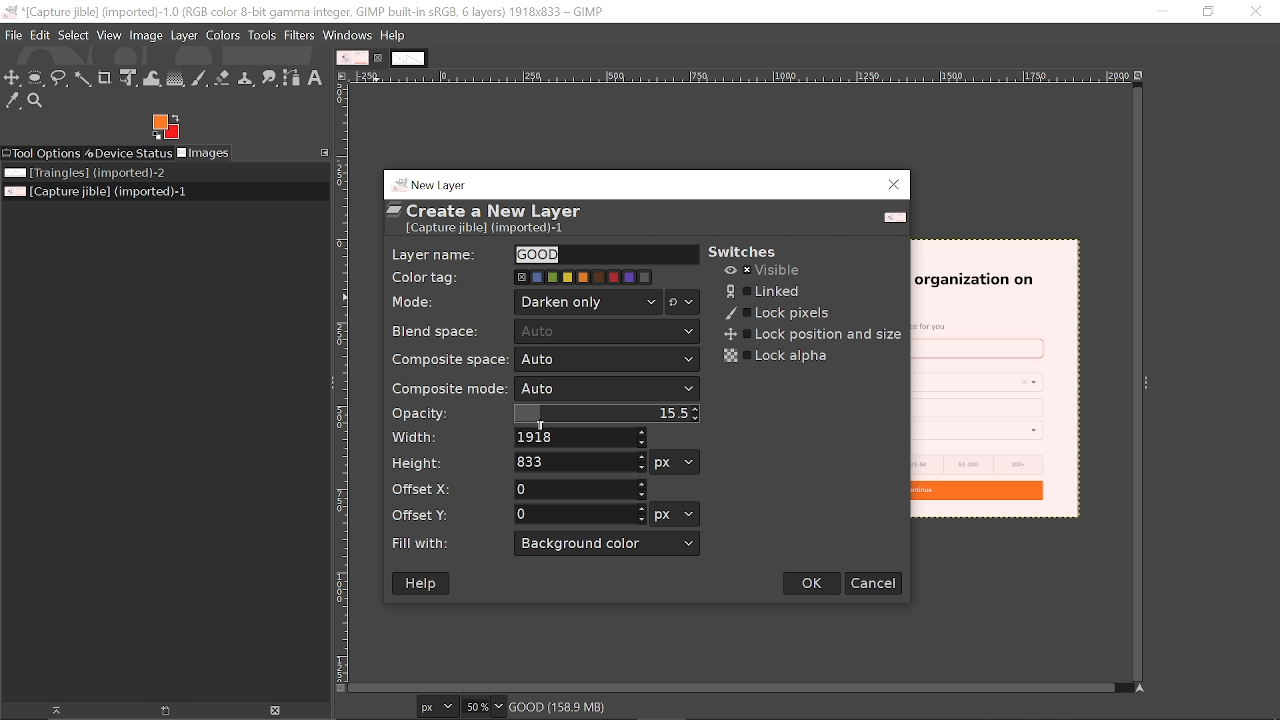  I want to click on Image file titled "Triangles", so click(108, 173).